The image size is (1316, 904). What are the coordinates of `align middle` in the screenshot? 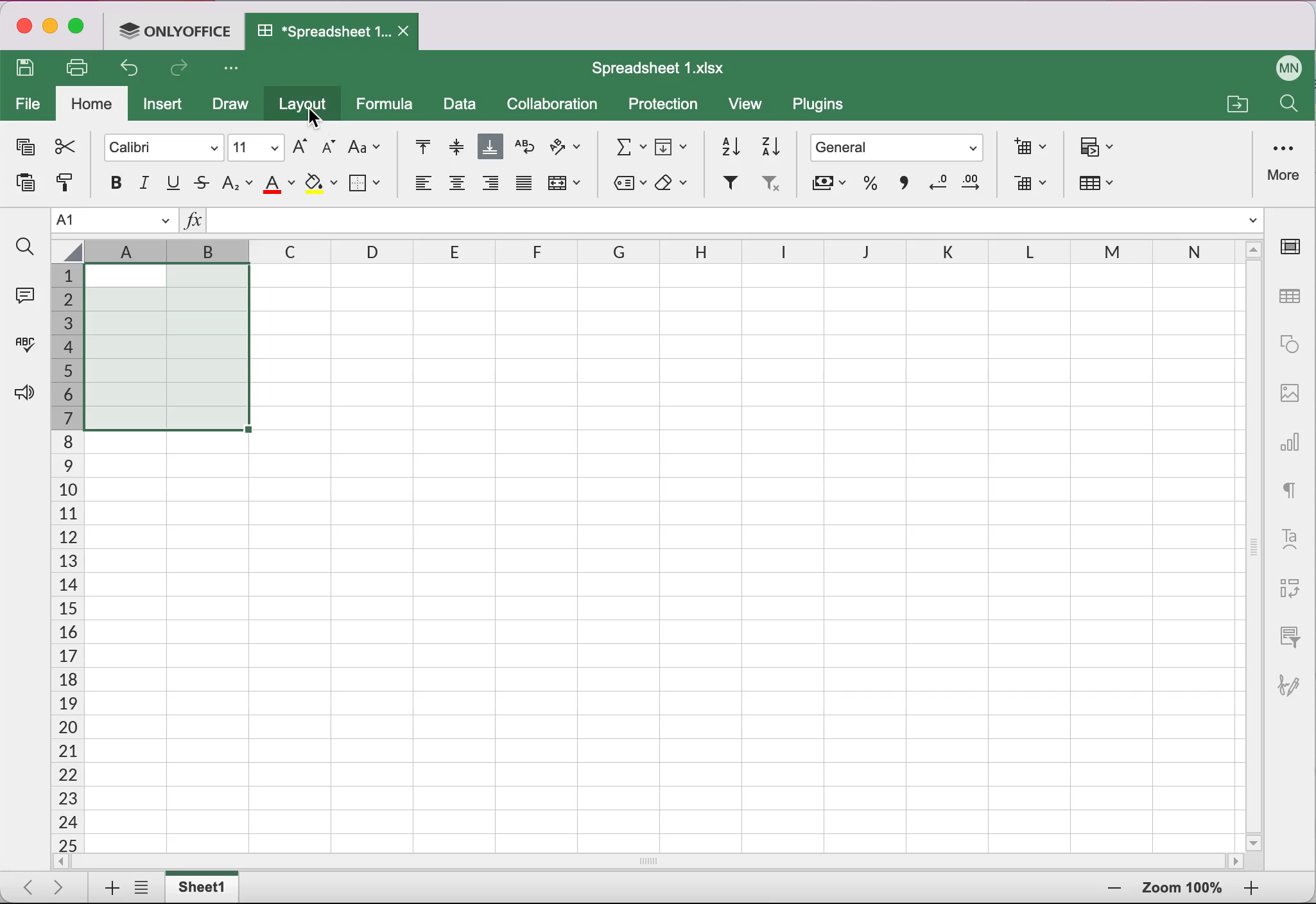 It's located at (454, 146).